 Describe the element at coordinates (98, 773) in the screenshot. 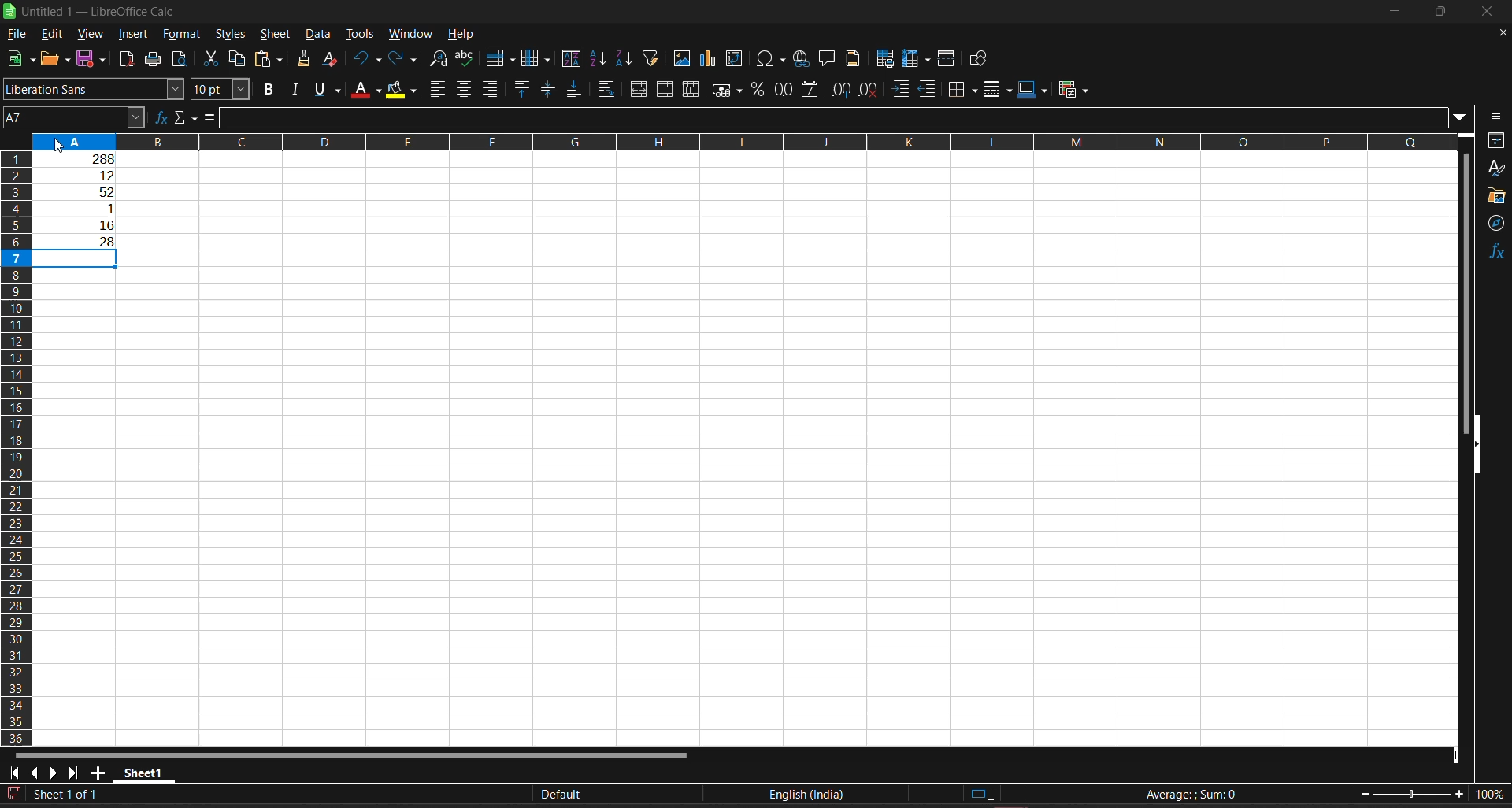

I see `add sheet` at that location.